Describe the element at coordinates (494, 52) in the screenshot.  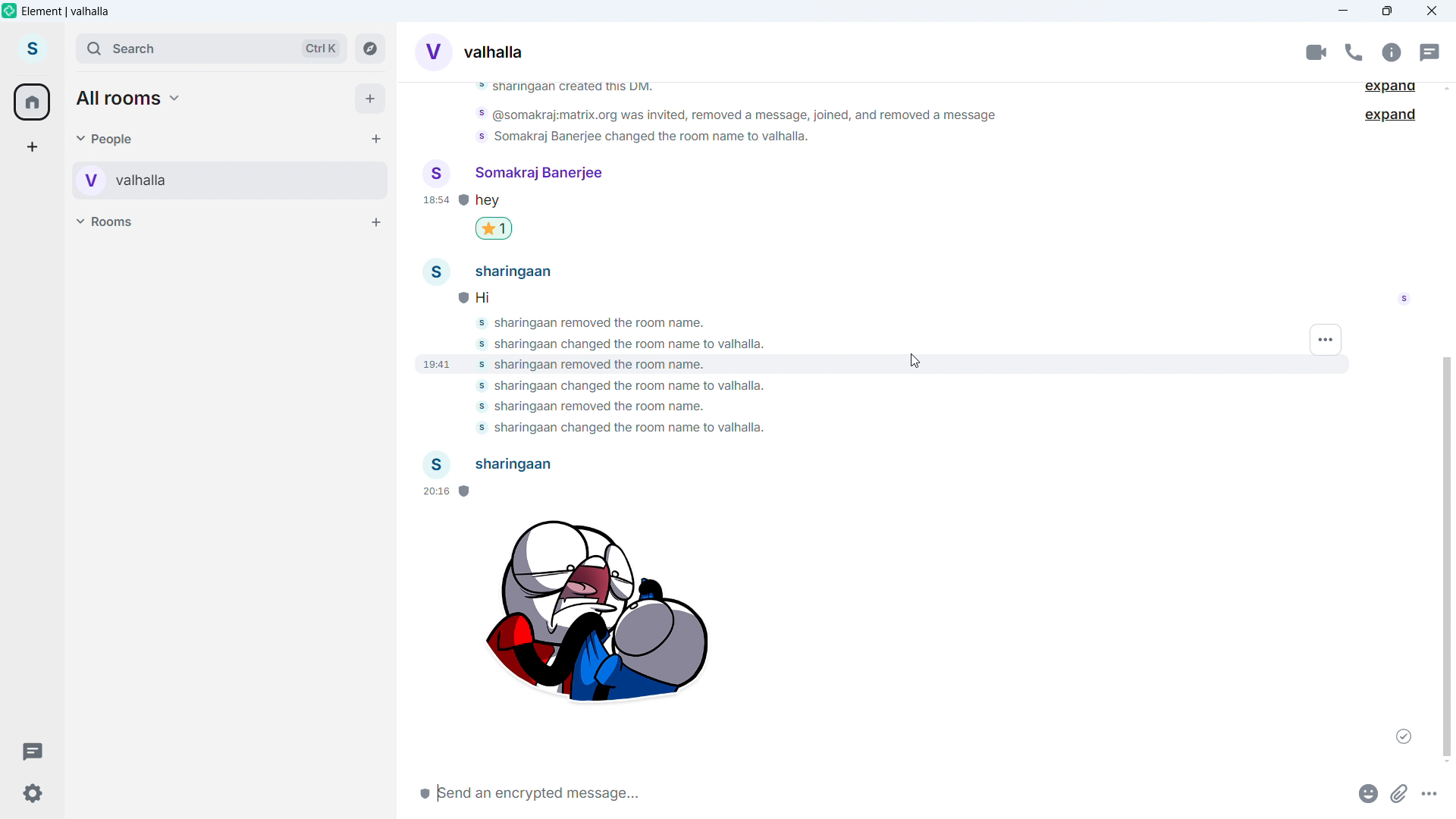
I see `Room alias` at that location.